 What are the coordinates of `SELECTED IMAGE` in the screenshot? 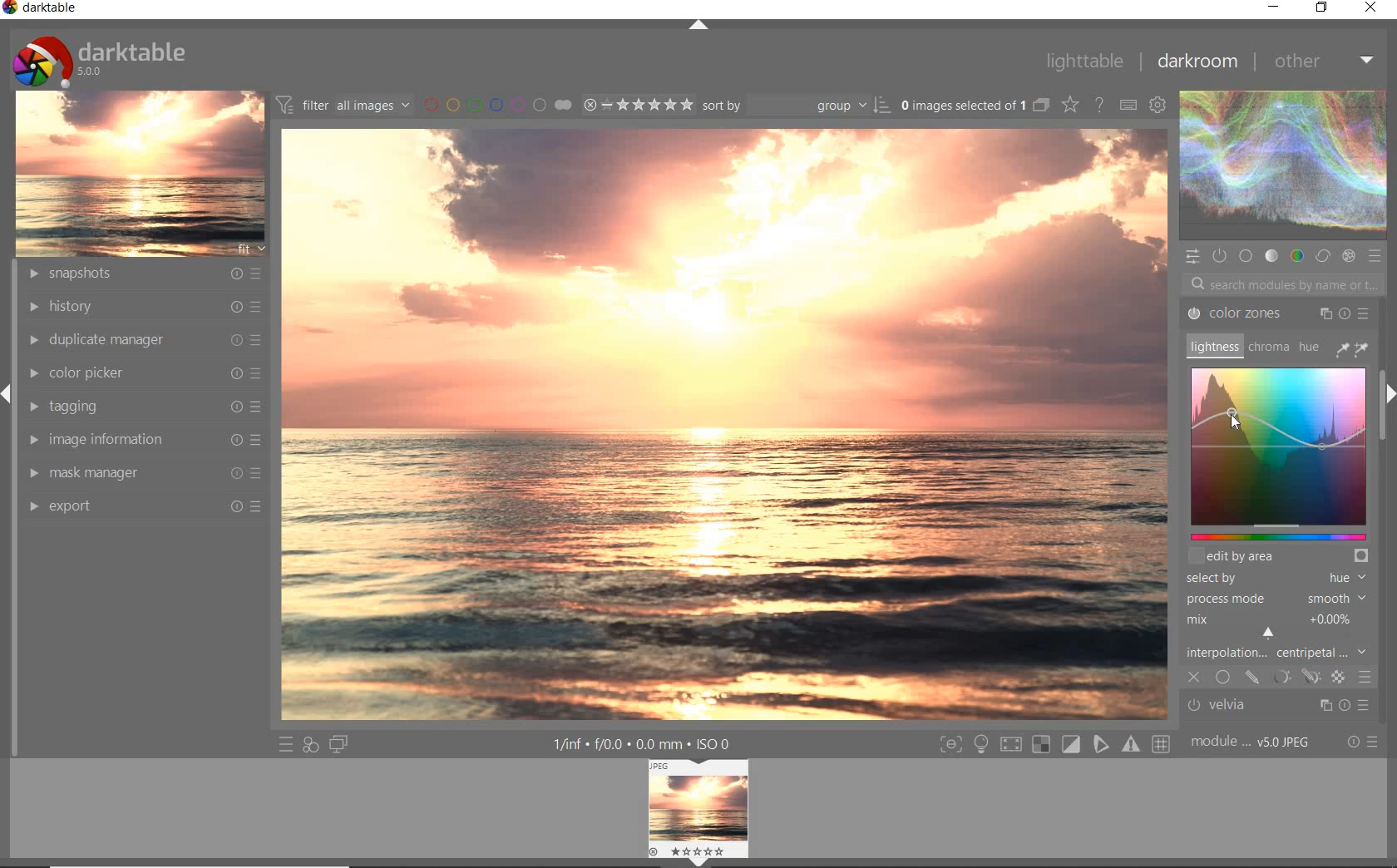 It's located at (724, 421).